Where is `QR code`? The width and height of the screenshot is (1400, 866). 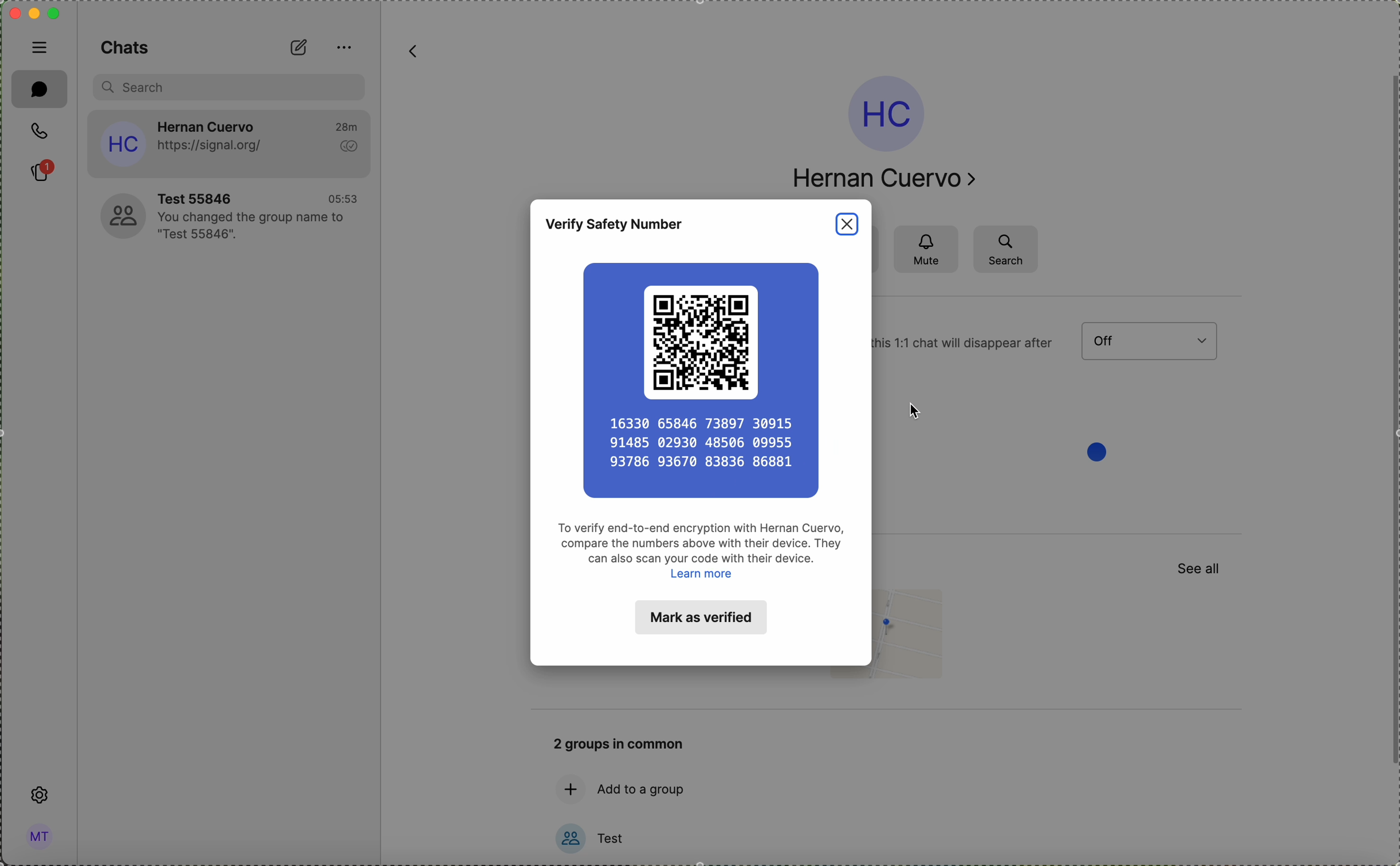
QR code is located at coordinates (701, 338).